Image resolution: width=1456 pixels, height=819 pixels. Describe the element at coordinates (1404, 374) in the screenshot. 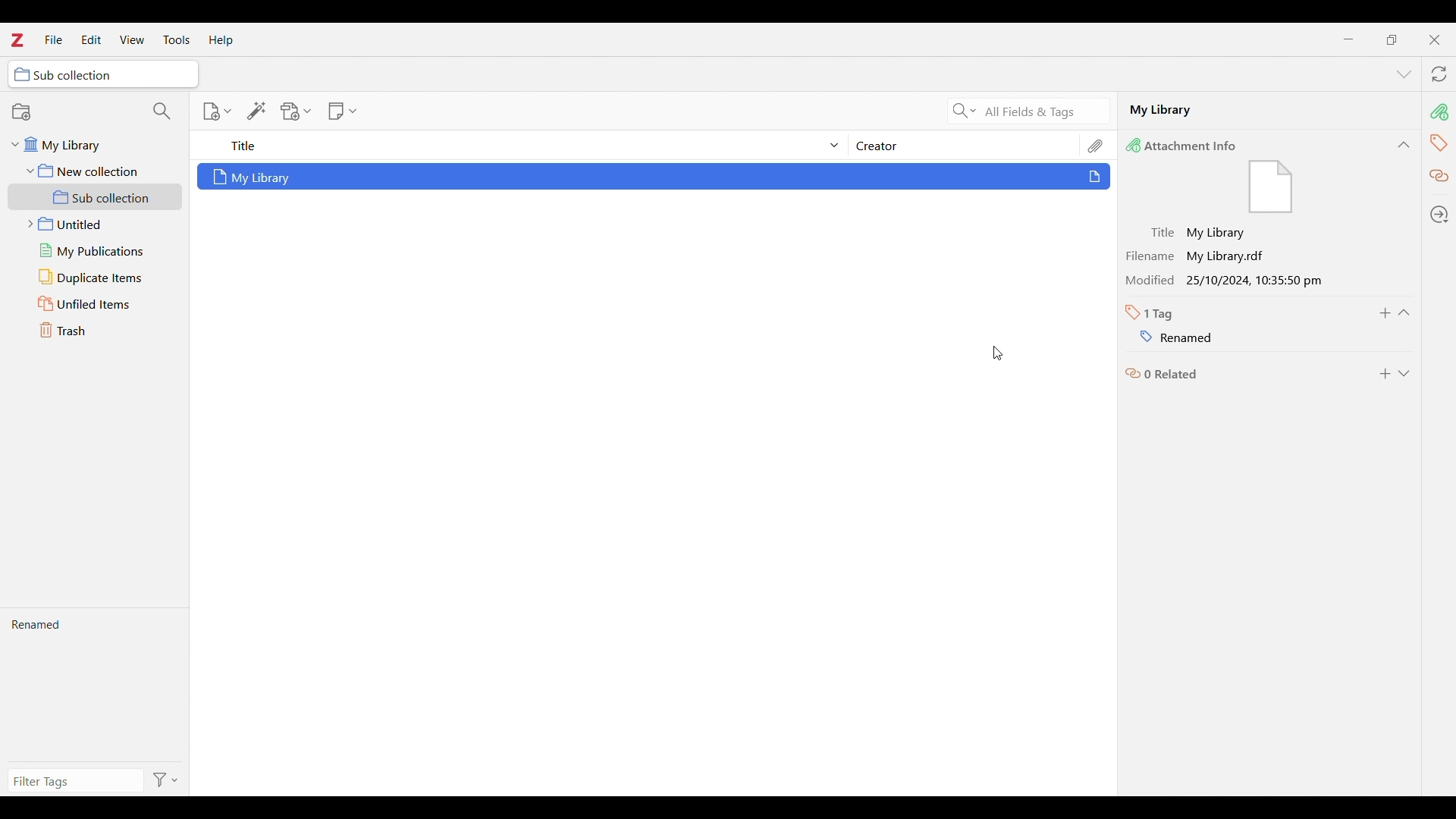

I see `Expand` at that location.